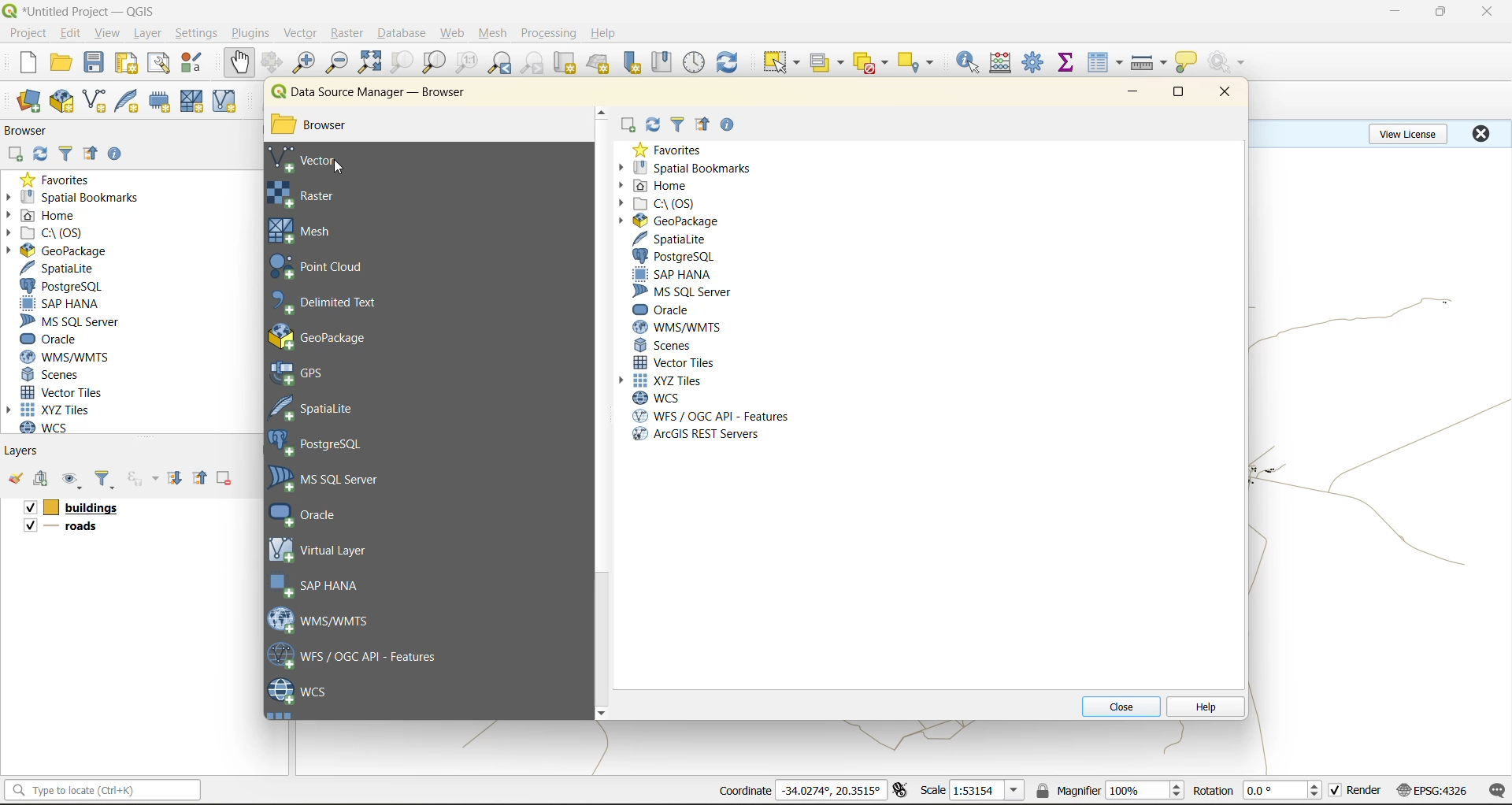 The height and width of the screenshot is (805, 1512). Describe the element at coordinates (665, 309) in the screenshot. I see `oracle` at that location.